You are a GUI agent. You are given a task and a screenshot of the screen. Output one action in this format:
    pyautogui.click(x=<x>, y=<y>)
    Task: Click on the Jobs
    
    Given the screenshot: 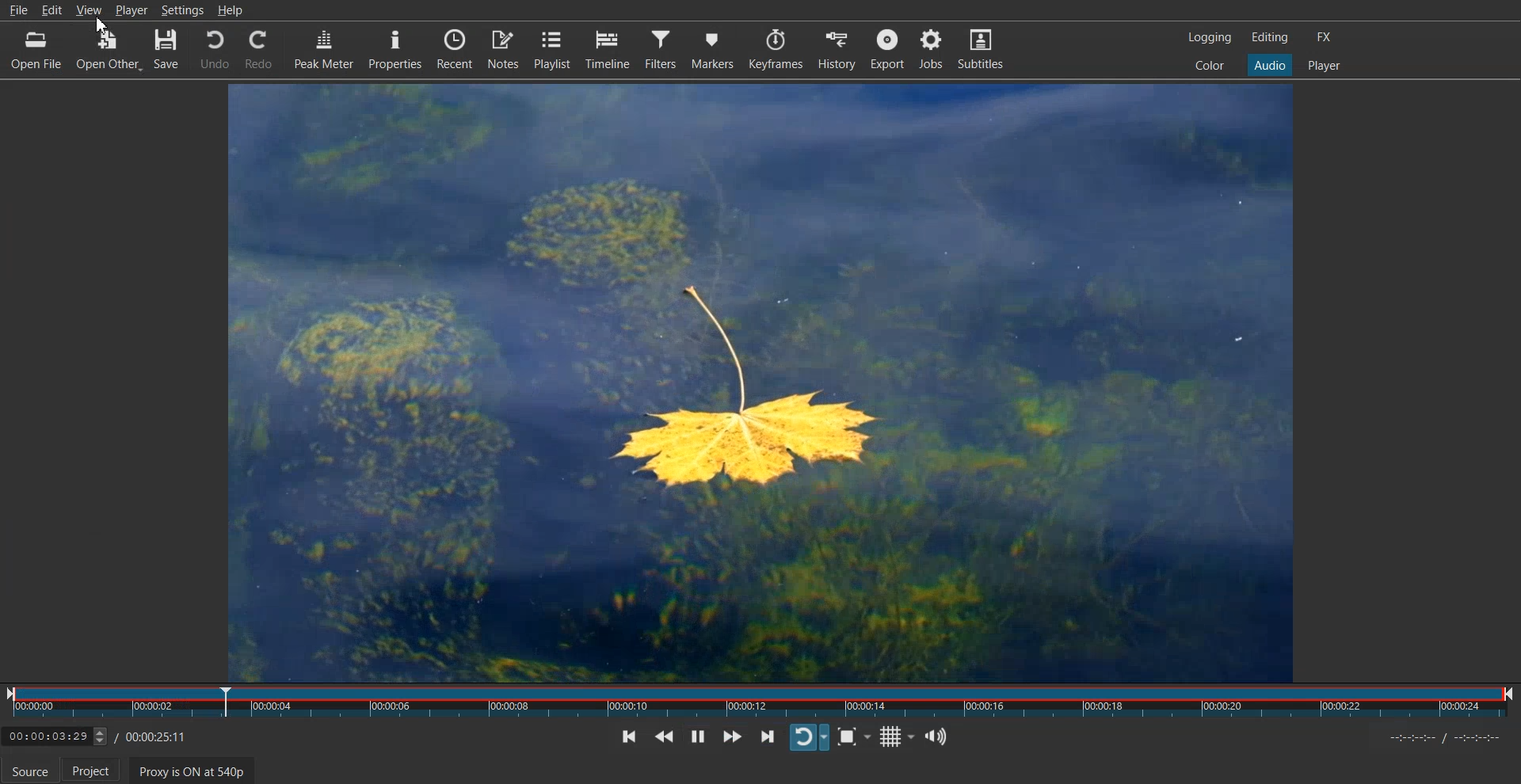 What is the action you would take?
    pyautogui.click(x=930, y=49)
    